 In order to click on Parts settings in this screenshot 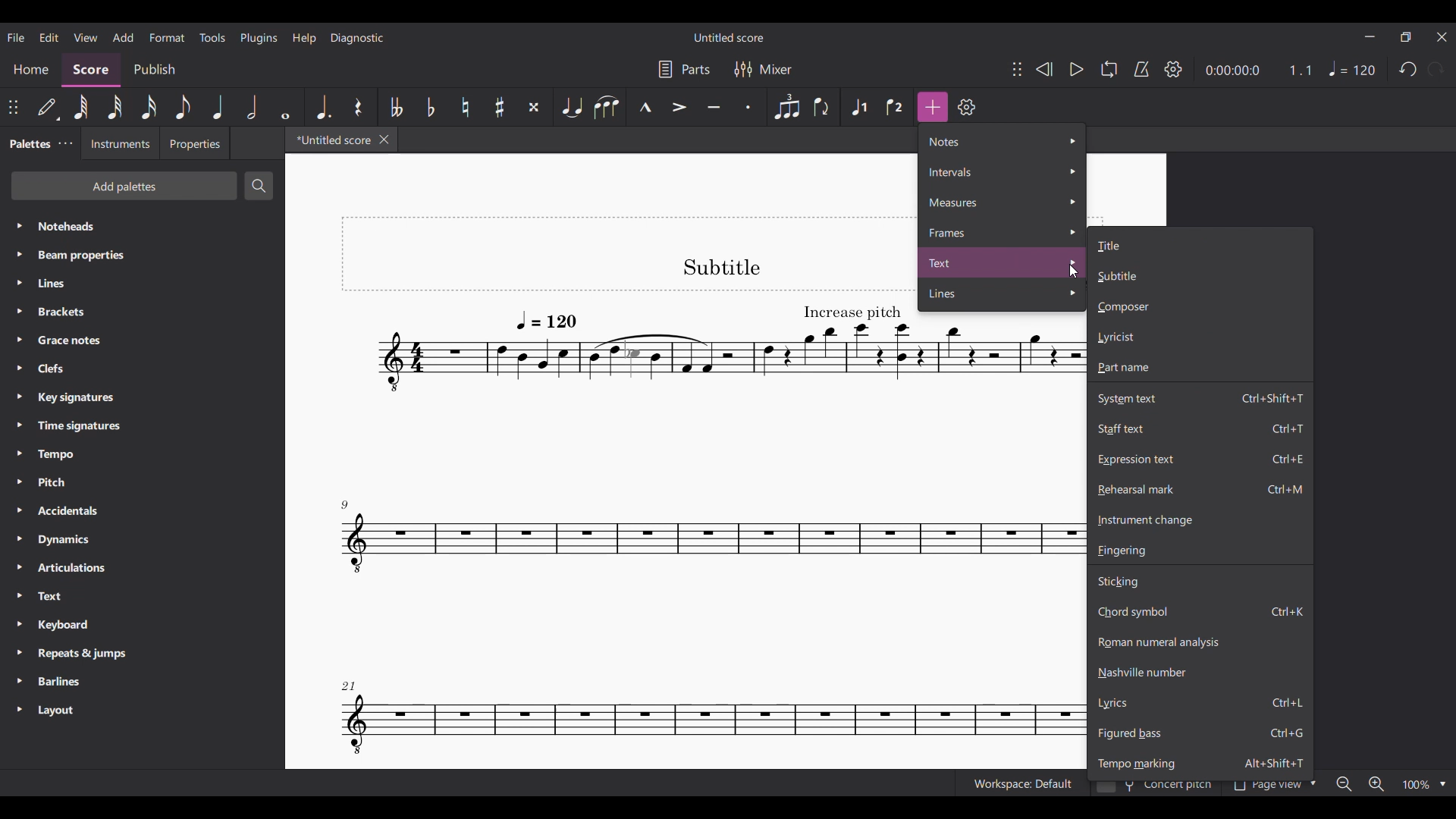, I will do `click(684, 69)`.